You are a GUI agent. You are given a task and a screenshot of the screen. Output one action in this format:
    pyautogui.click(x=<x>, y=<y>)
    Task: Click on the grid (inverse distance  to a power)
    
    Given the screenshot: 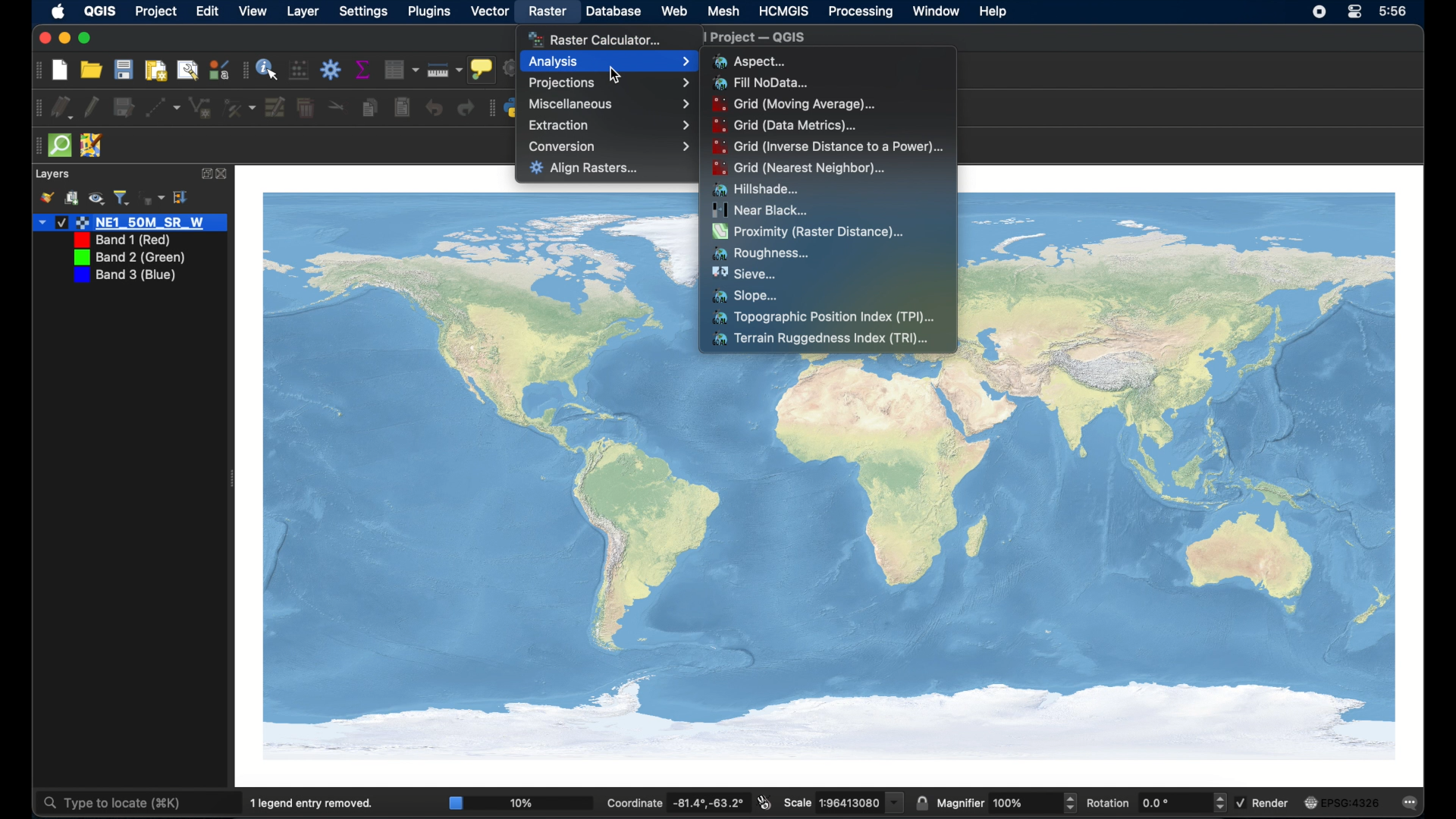 What is the action you would take?
    pyautogui.click(x=829, y=146)
    